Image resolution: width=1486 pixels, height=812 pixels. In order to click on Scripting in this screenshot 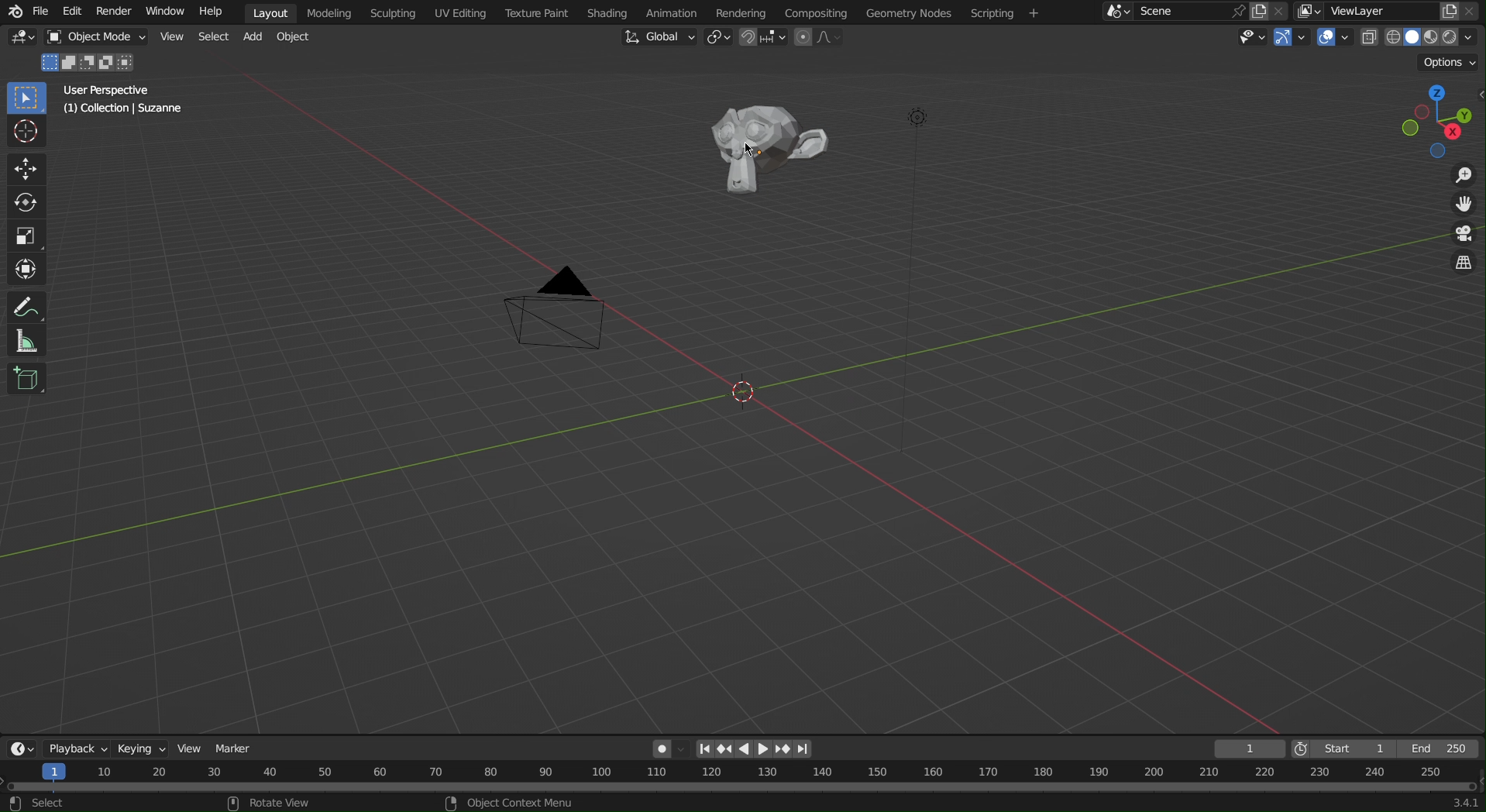, I will do `click(1007, 12)`.